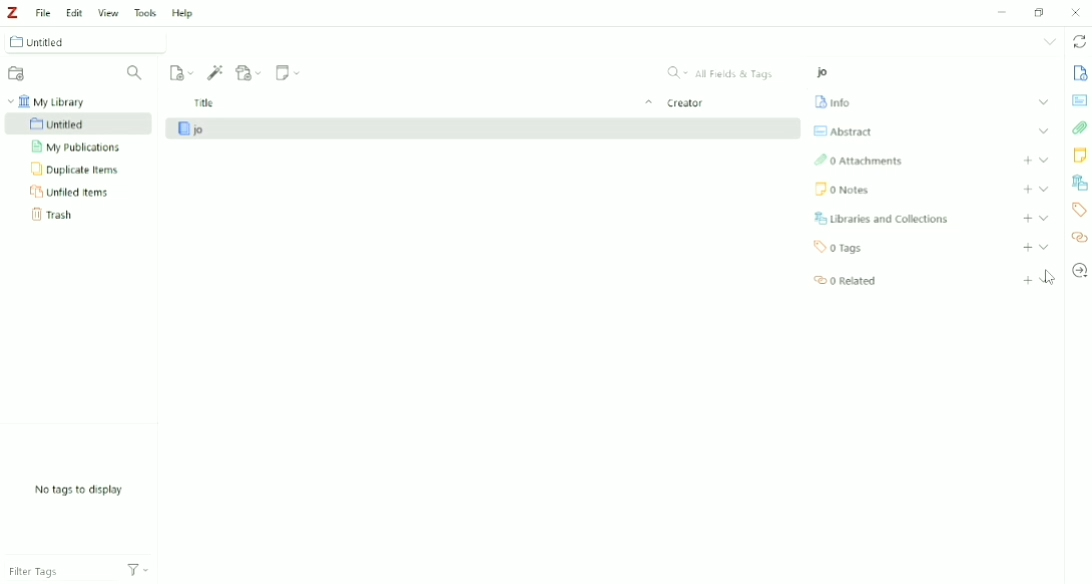 This screenshot has width=1092, height=584. Describe the element at coordinates (843, 189) in the screenshot. I see `Notes` at that location.